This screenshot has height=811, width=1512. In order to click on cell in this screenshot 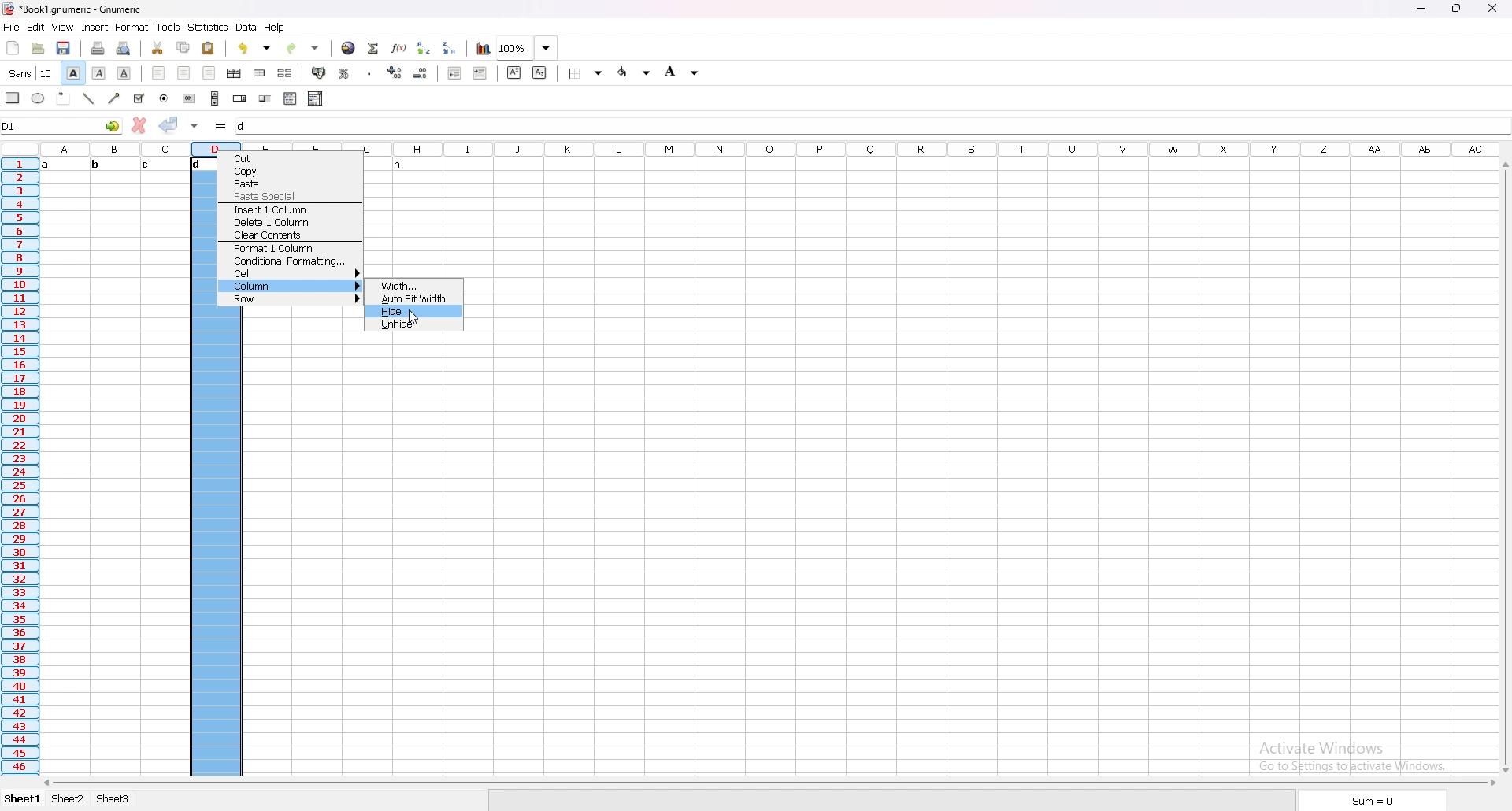, I will do `click(291, 273)`.